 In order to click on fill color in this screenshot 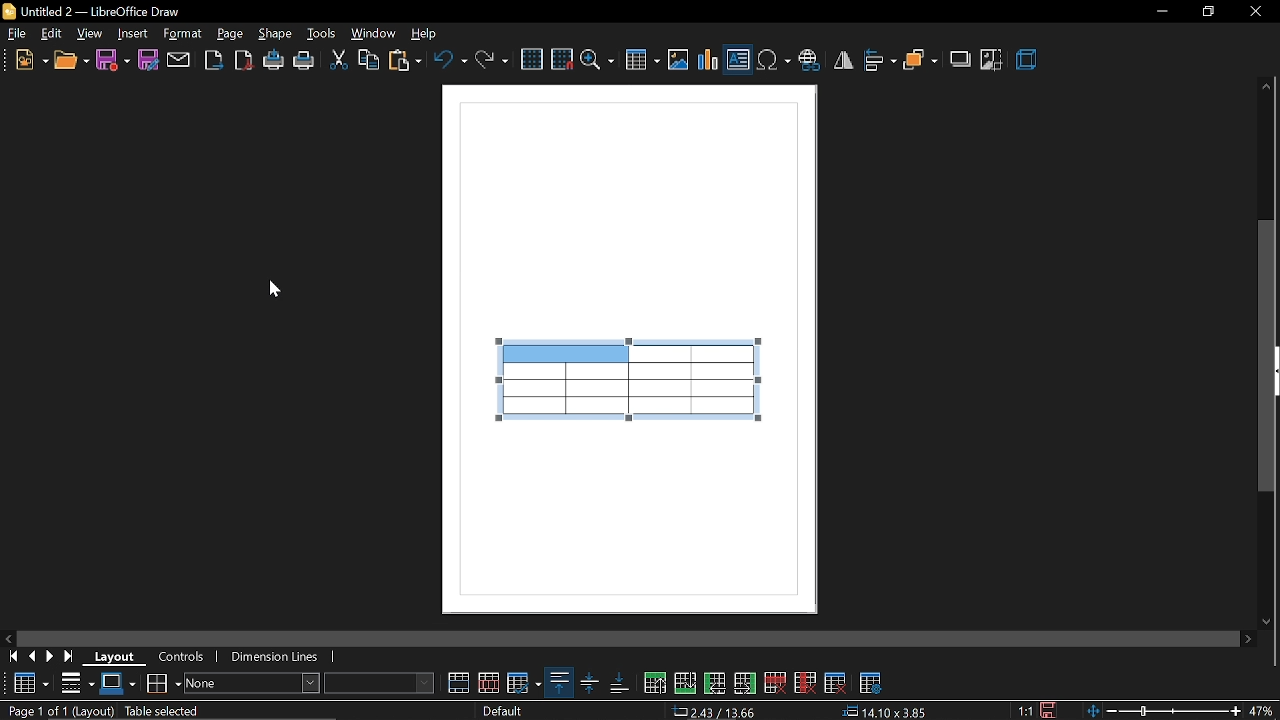, I will do `click(383, 682)`.